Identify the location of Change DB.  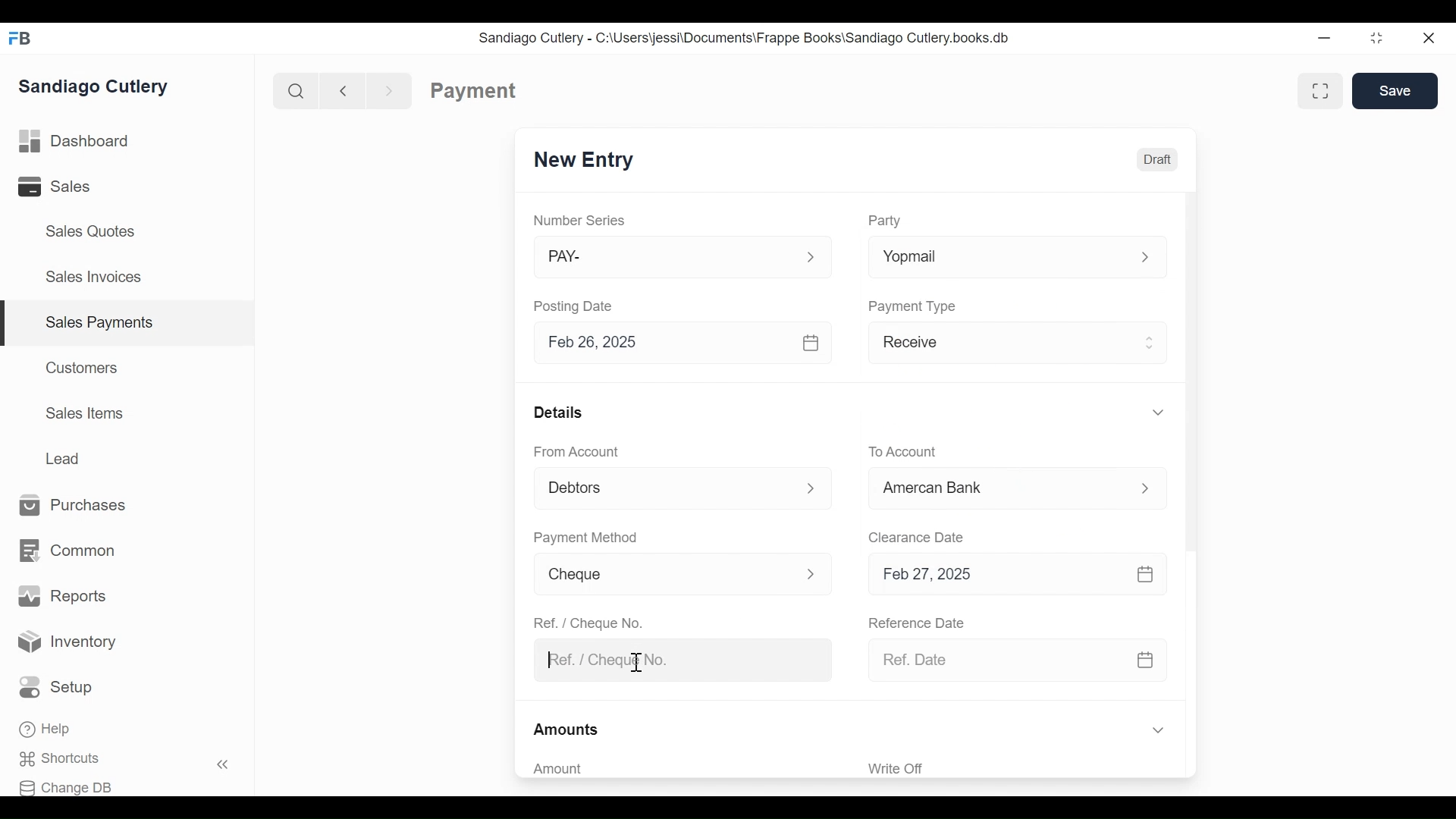
(71, 786).